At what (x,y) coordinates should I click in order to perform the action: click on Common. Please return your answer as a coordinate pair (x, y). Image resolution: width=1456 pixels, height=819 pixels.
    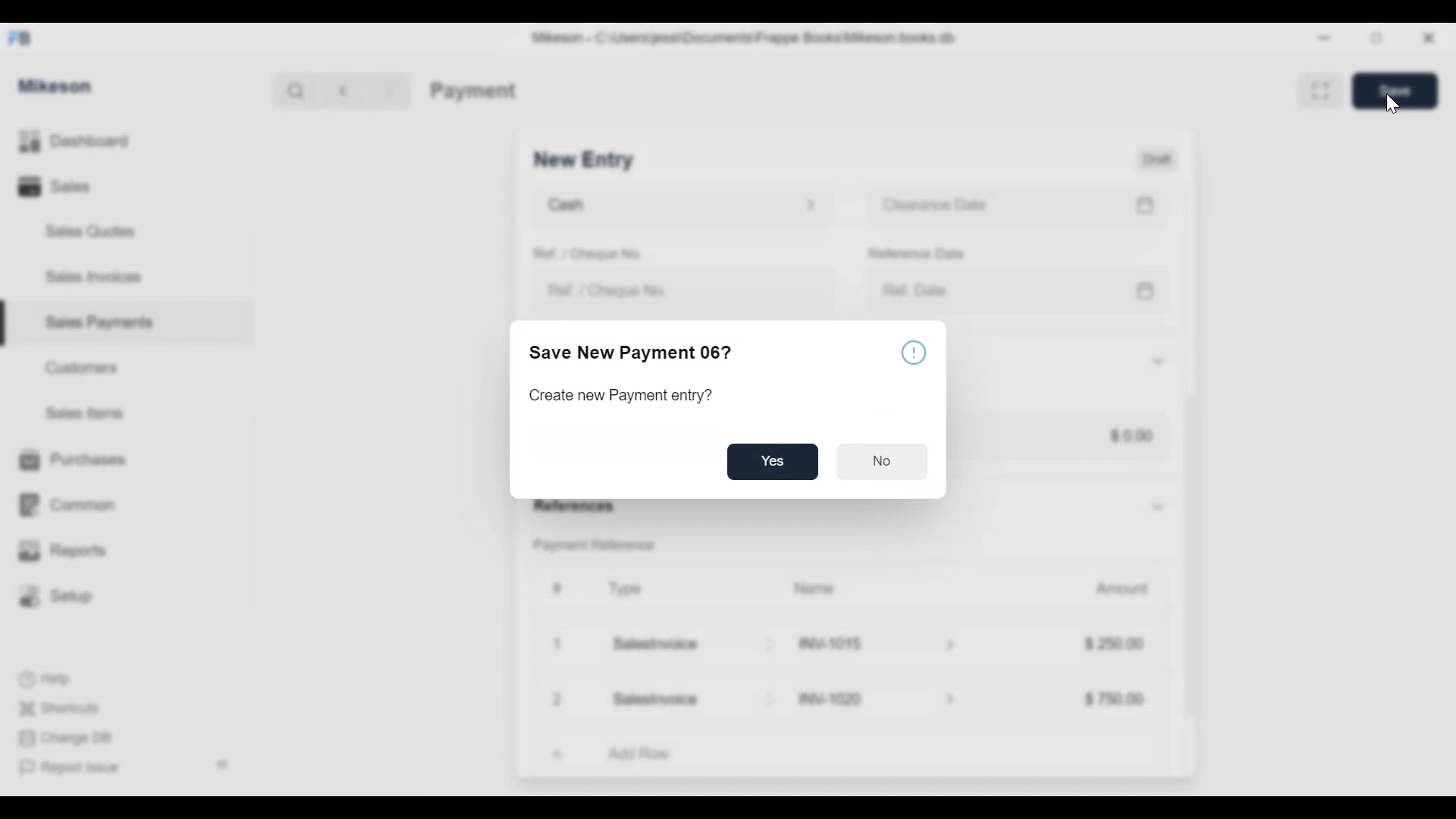
    Looking at the image, I should click on (75, 497).